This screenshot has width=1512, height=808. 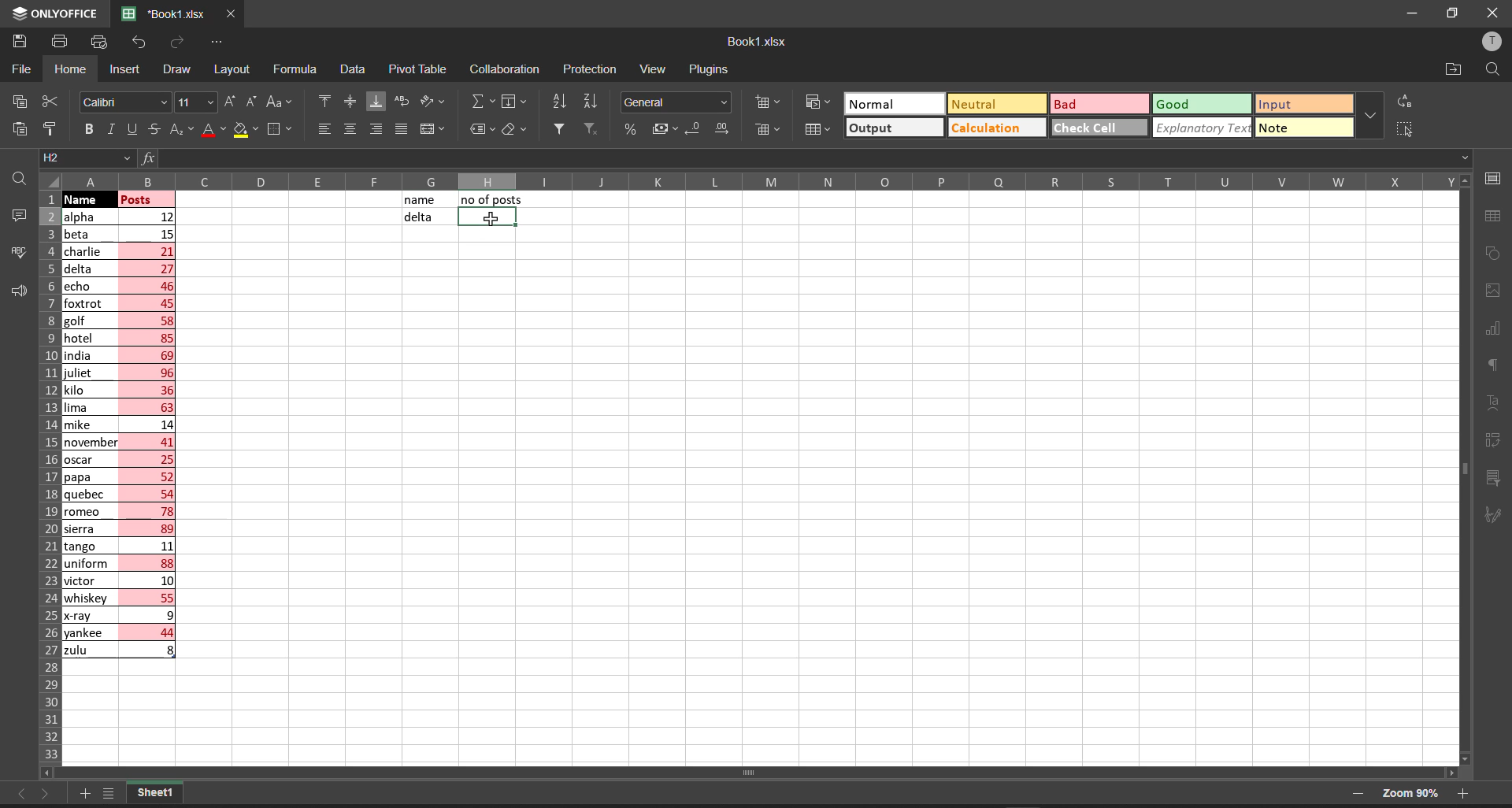 What do you see at coordinates (348, 130) in the screenshot?
I see `align center` at bounding box center [348, 130].